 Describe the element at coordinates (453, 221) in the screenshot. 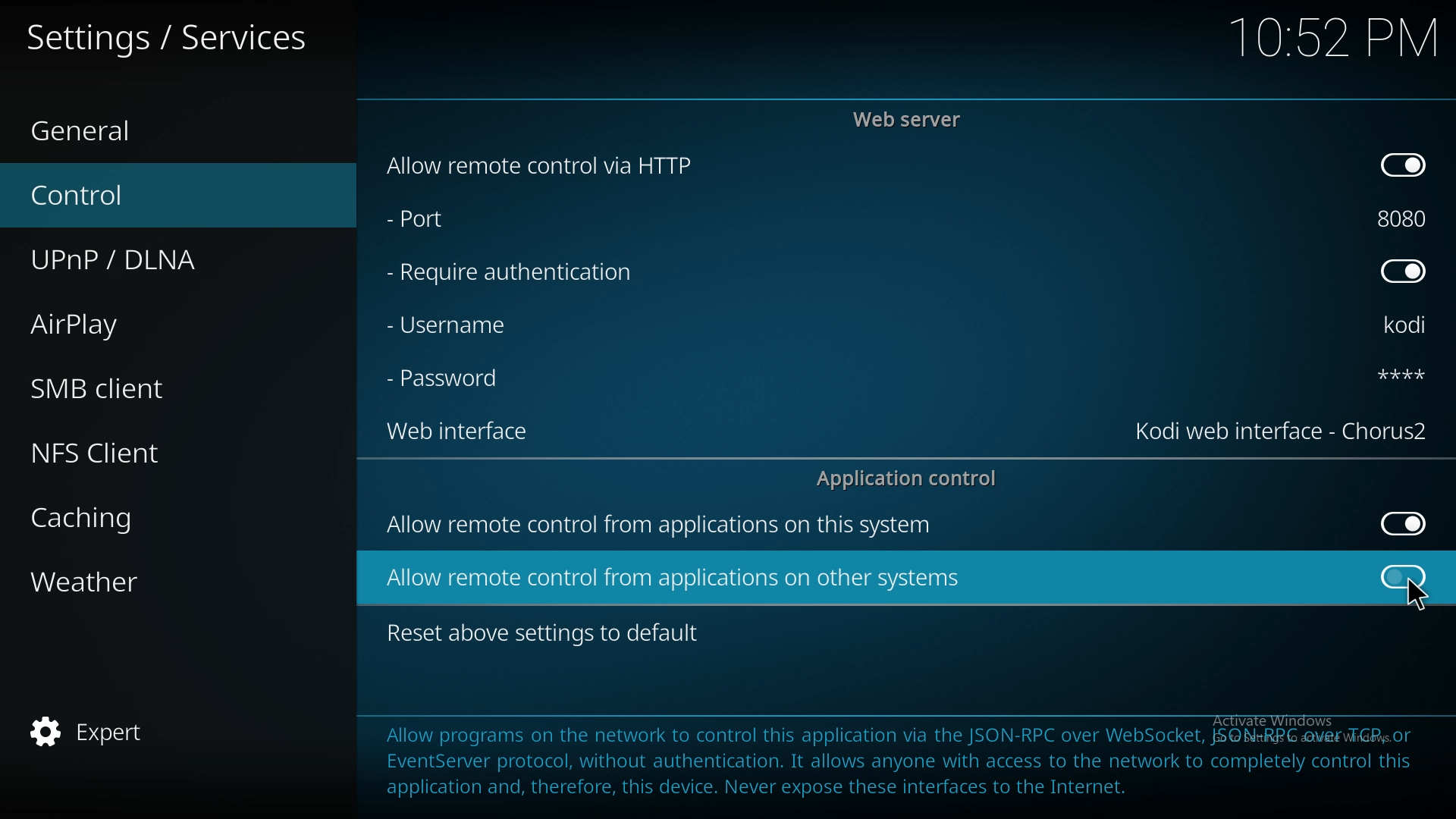

I see `port` at that location.